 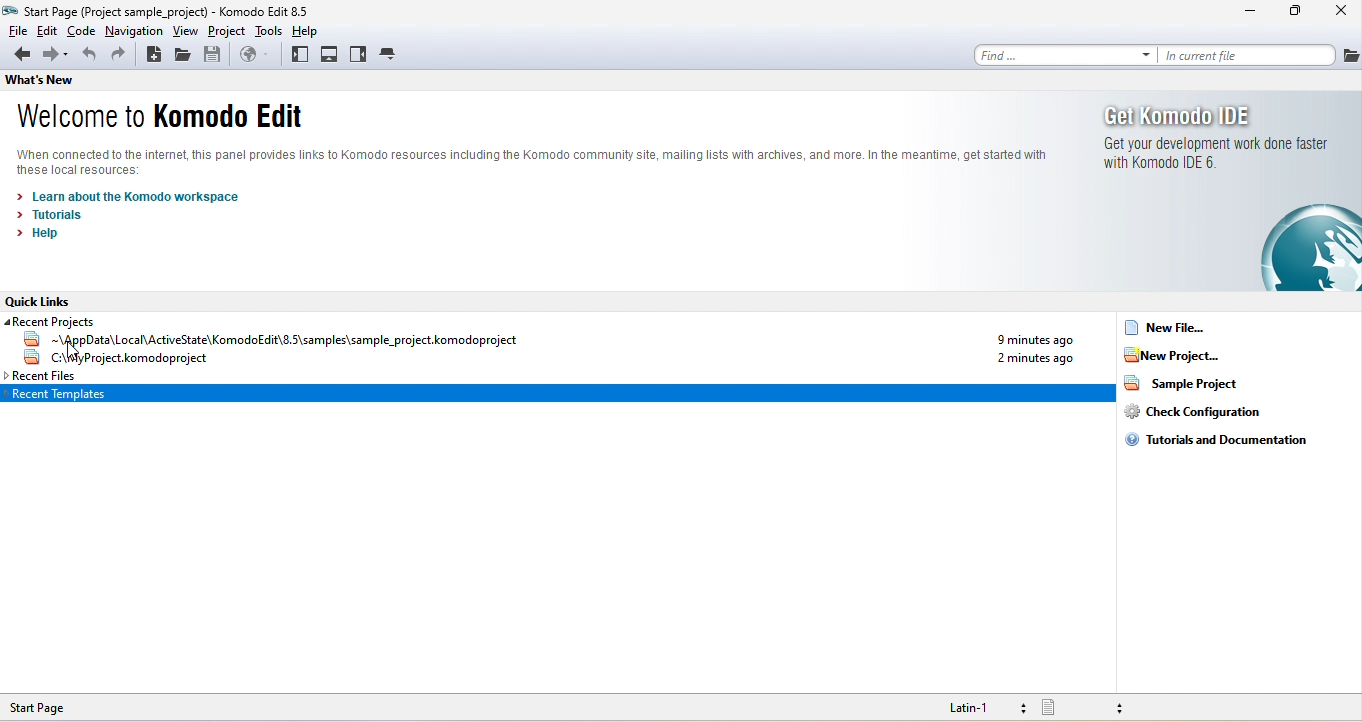 I want to click on check configuration, so click(x=1207, y=417).